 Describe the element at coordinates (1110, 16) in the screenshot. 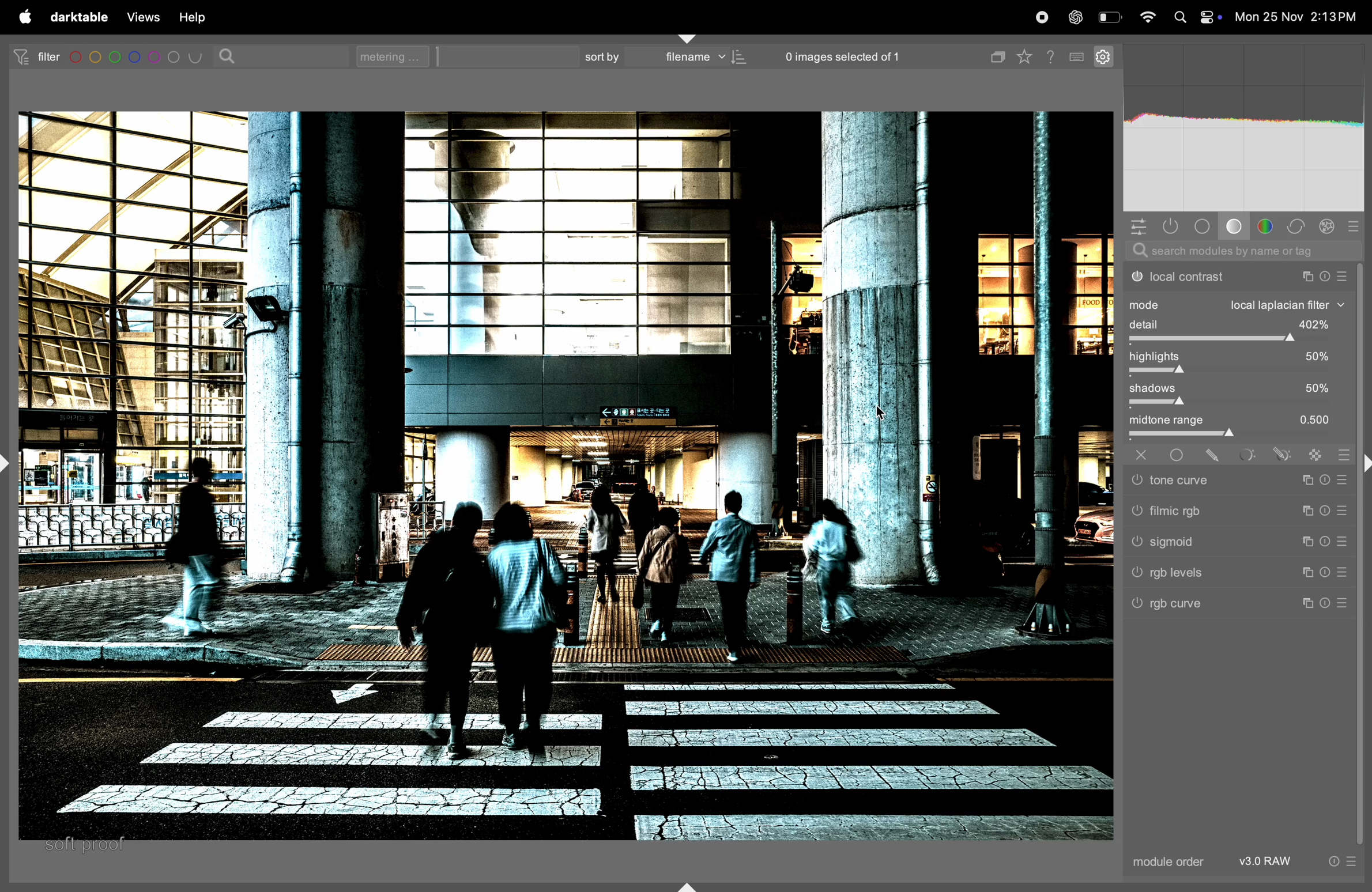

I see `battery` at that location.